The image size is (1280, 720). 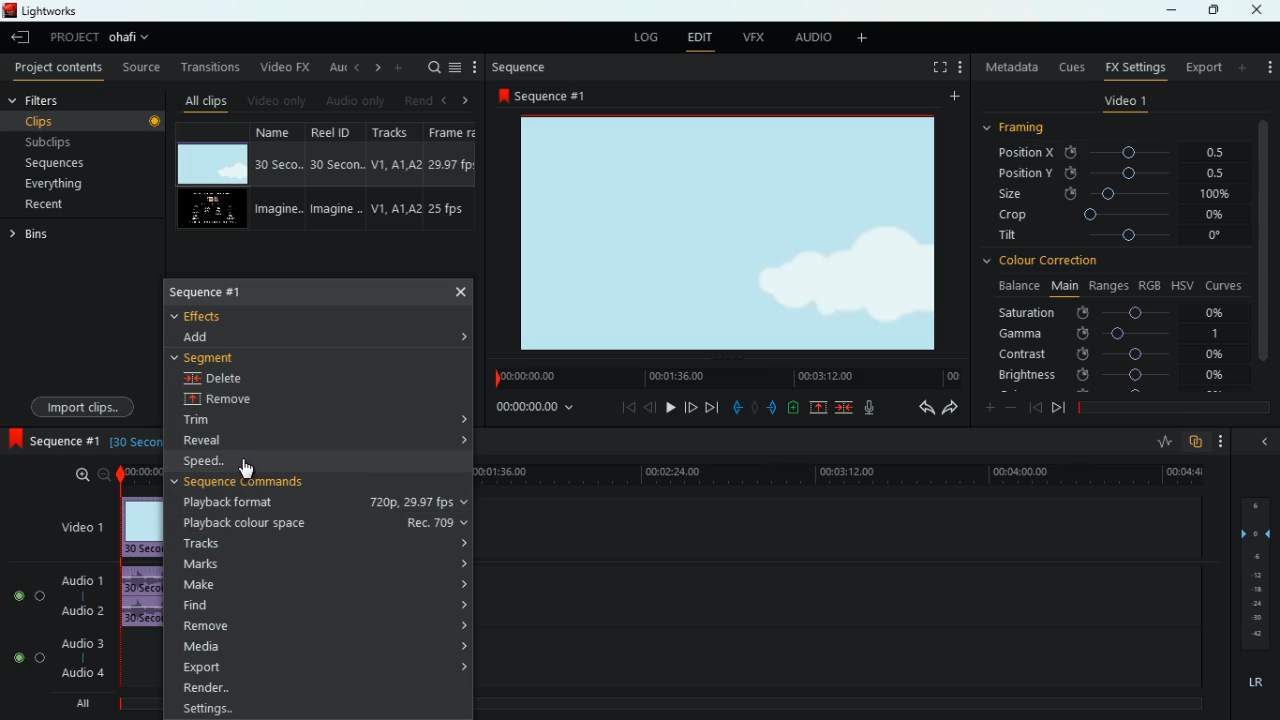 What do you see at coordinates (206, 67) in the screenshot?
I see `transitions` at bounding box center [206, 67].